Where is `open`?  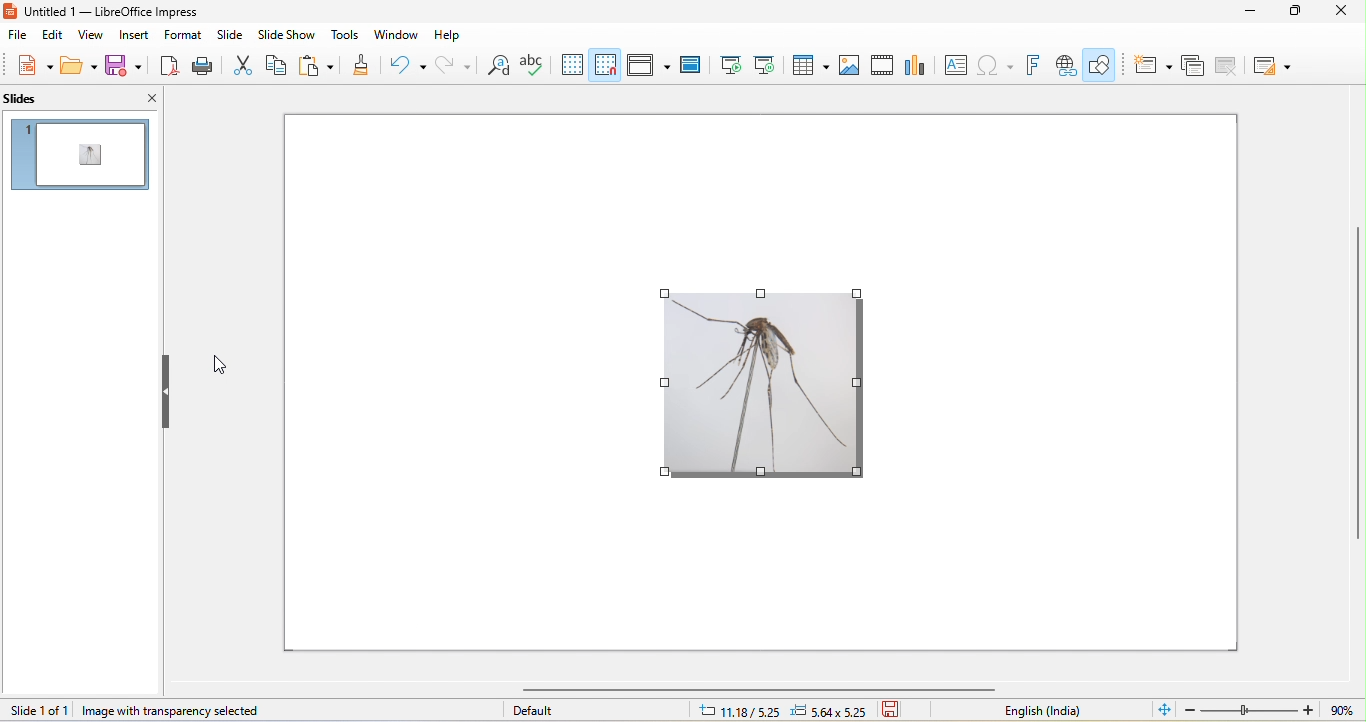 open is located at coordinates (79, 65).